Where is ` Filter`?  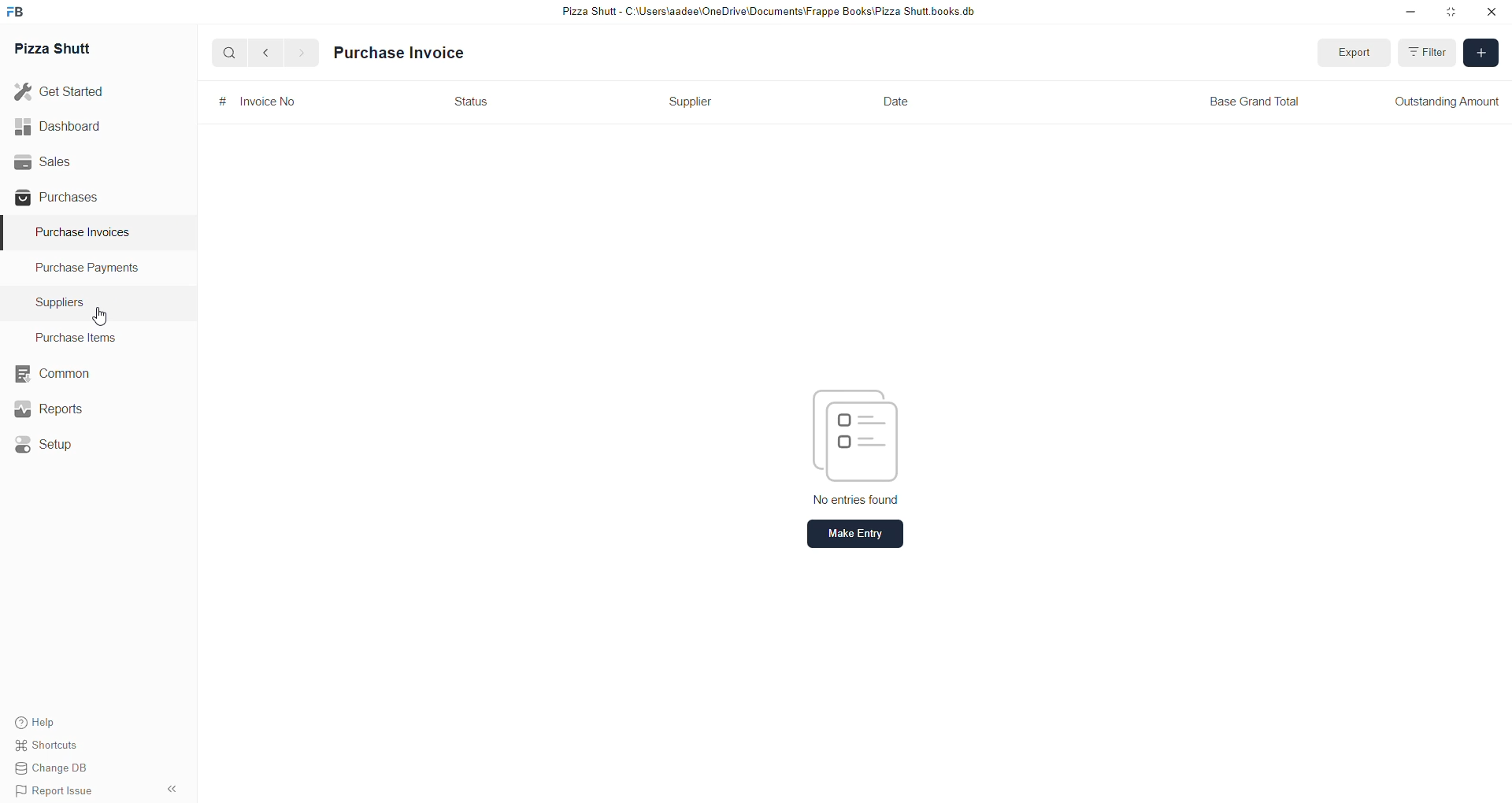
 Filter is located at coordinates (1435, 53).